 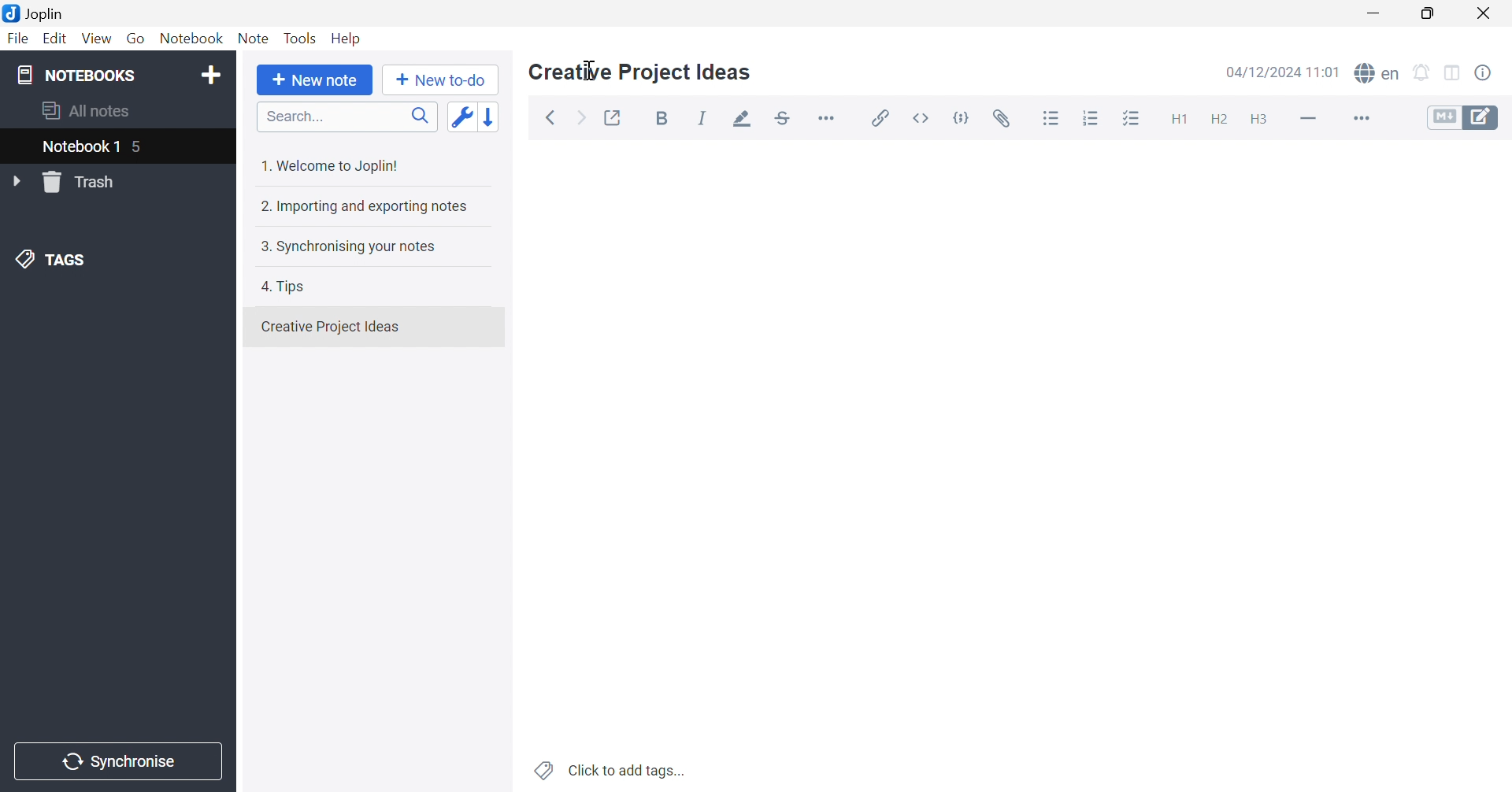 I want to click on Toggle editors, so click(x=1463, y=118).